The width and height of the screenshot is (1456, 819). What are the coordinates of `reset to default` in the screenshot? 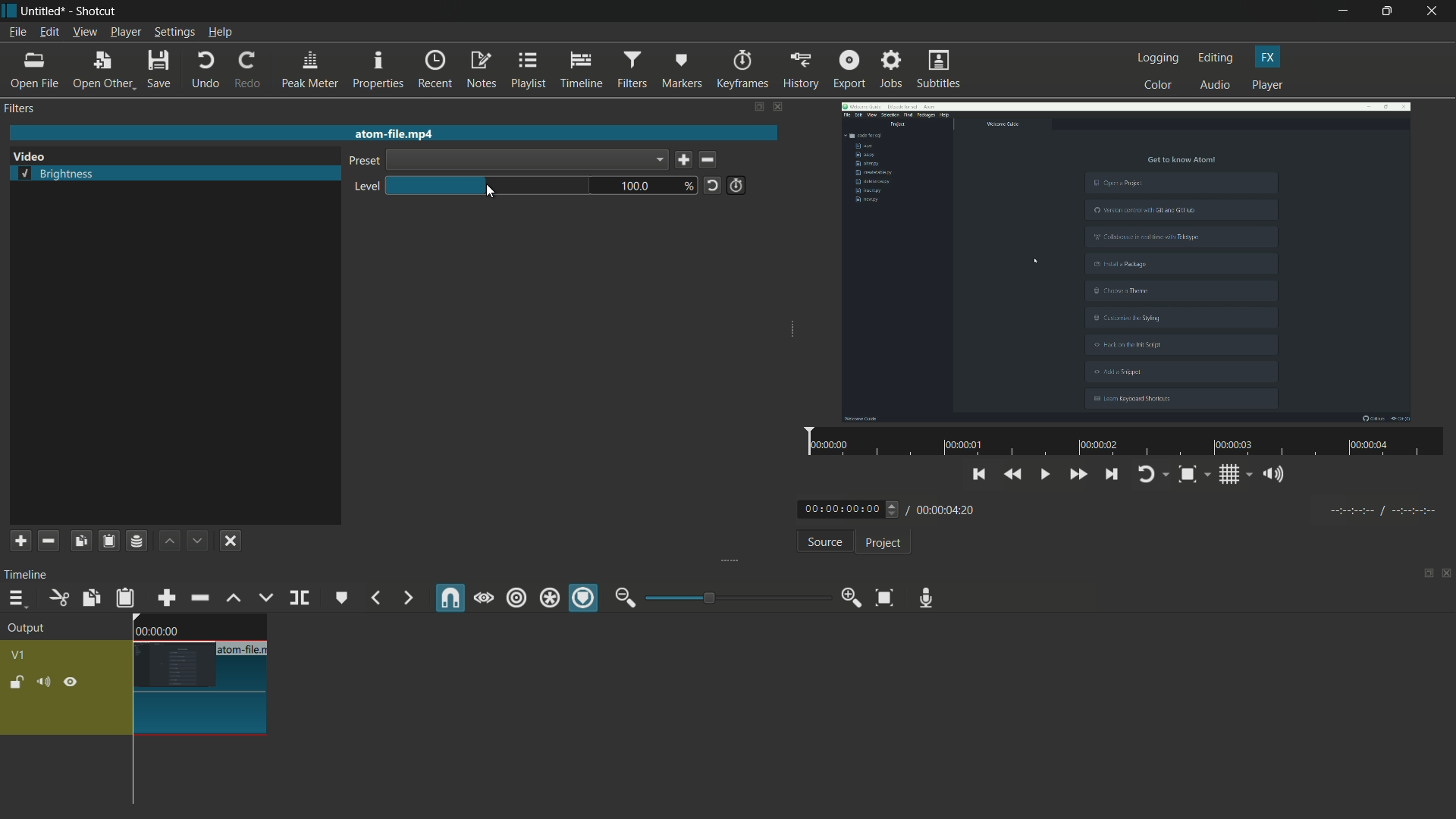 It's located at (712, 184).